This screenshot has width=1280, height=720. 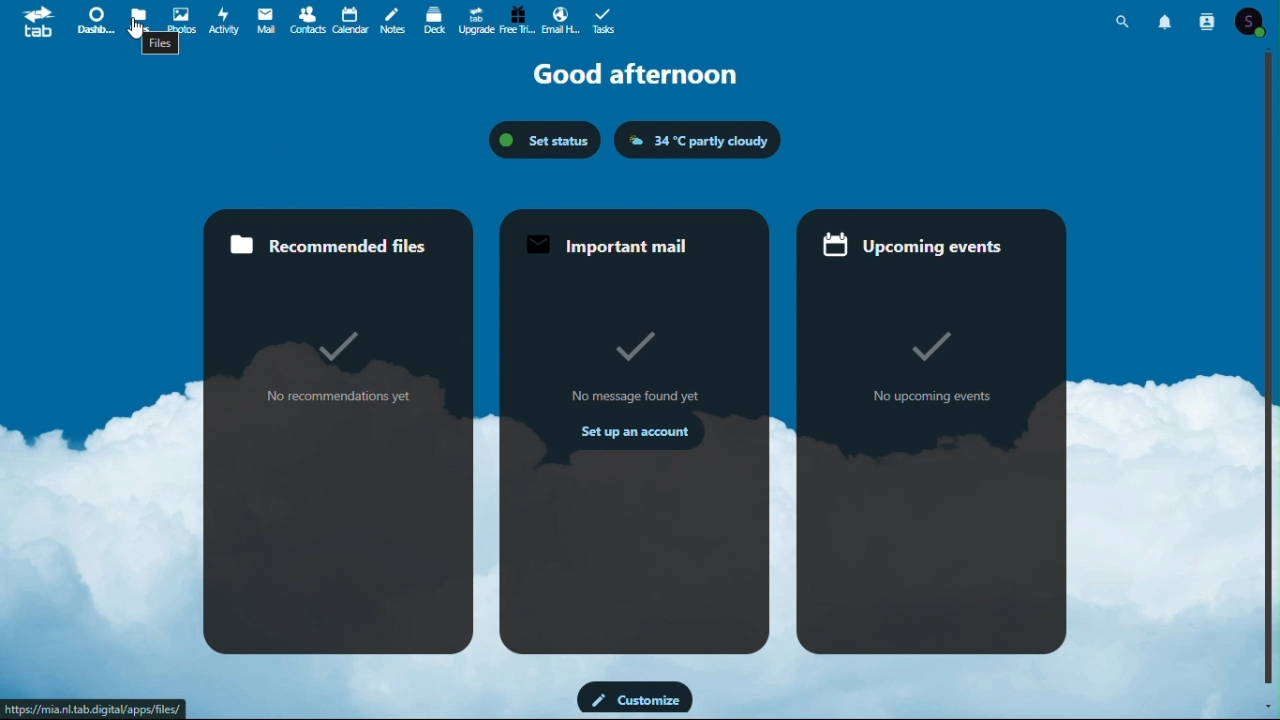 What do you see at coordinates (181, 21) in the screenshot?
I see `Photos` at bounding box center [181, 21].